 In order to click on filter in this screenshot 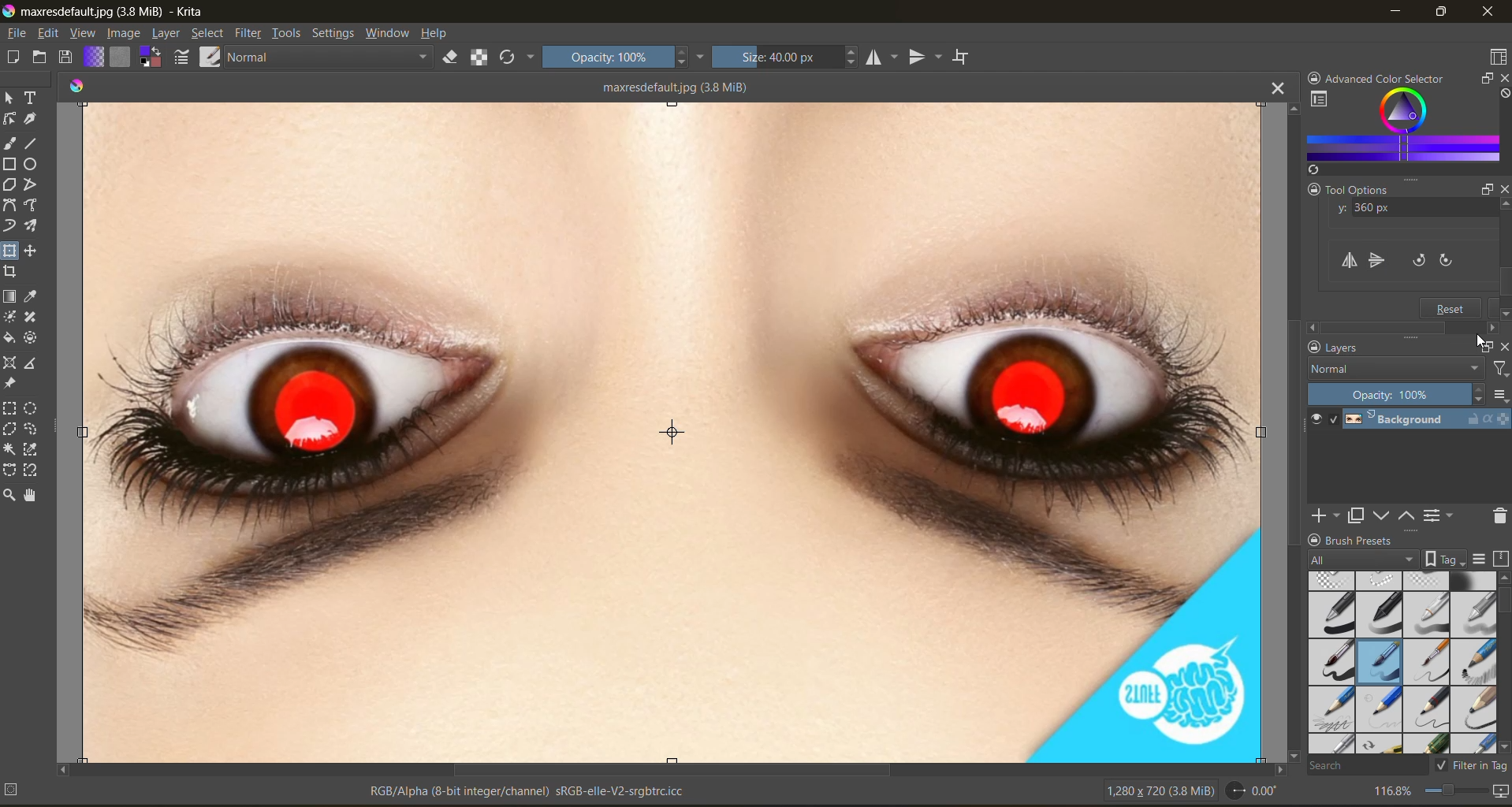, I will do `click(251, 32)`.